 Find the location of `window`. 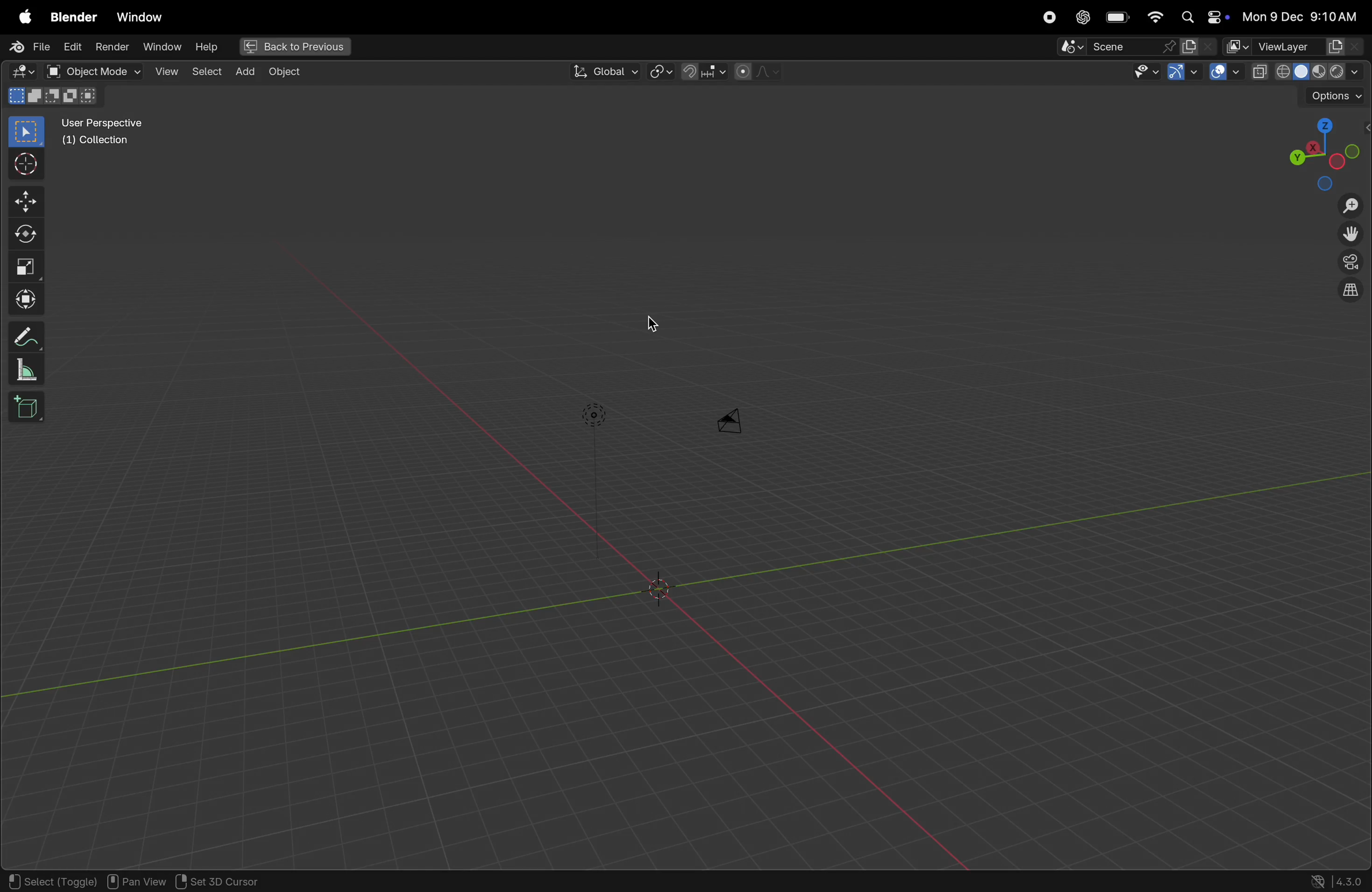

window is located at coordinates (139, 17).